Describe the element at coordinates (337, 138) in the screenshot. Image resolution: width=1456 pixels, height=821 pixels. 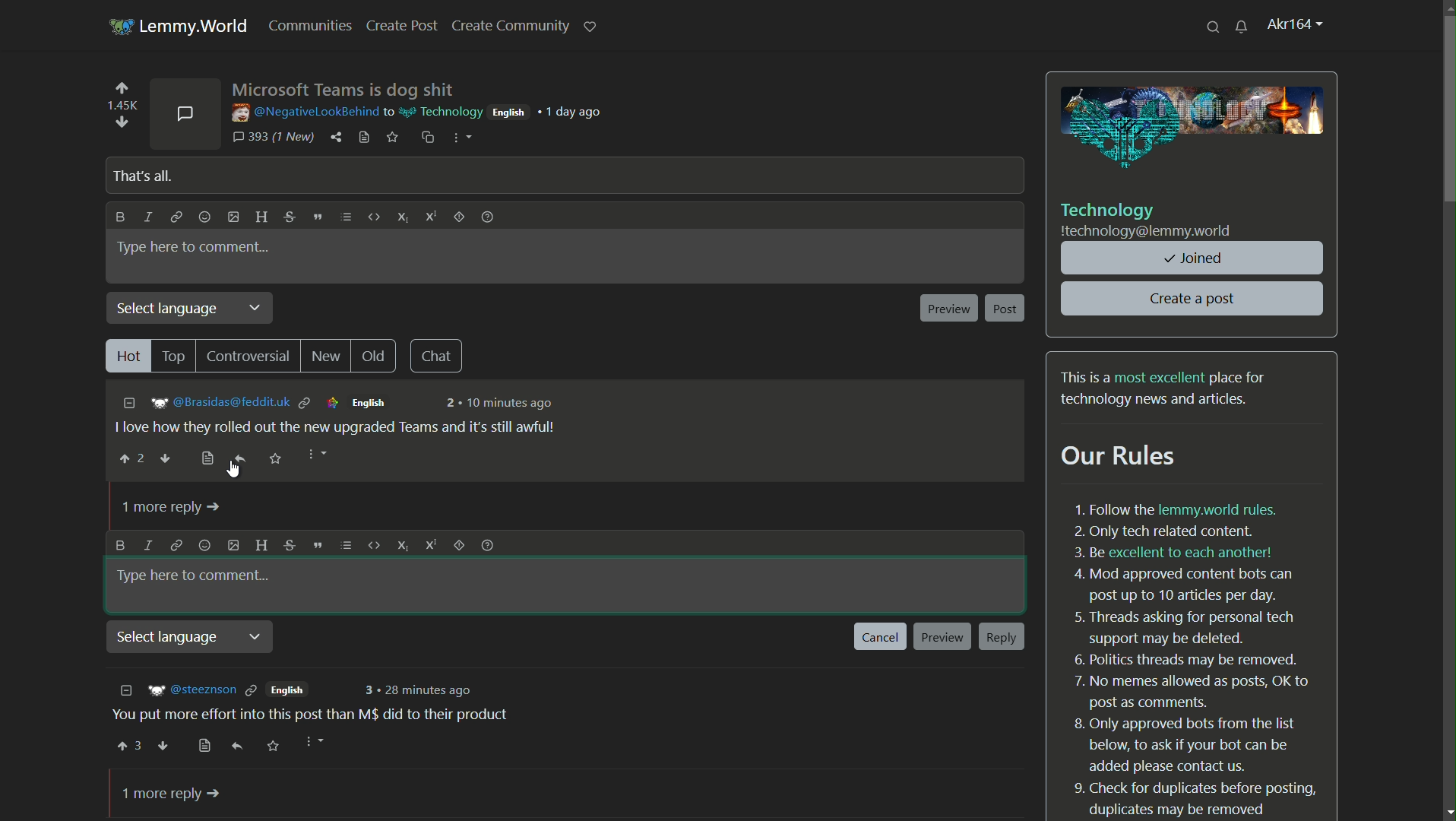
I see `share` at that location.